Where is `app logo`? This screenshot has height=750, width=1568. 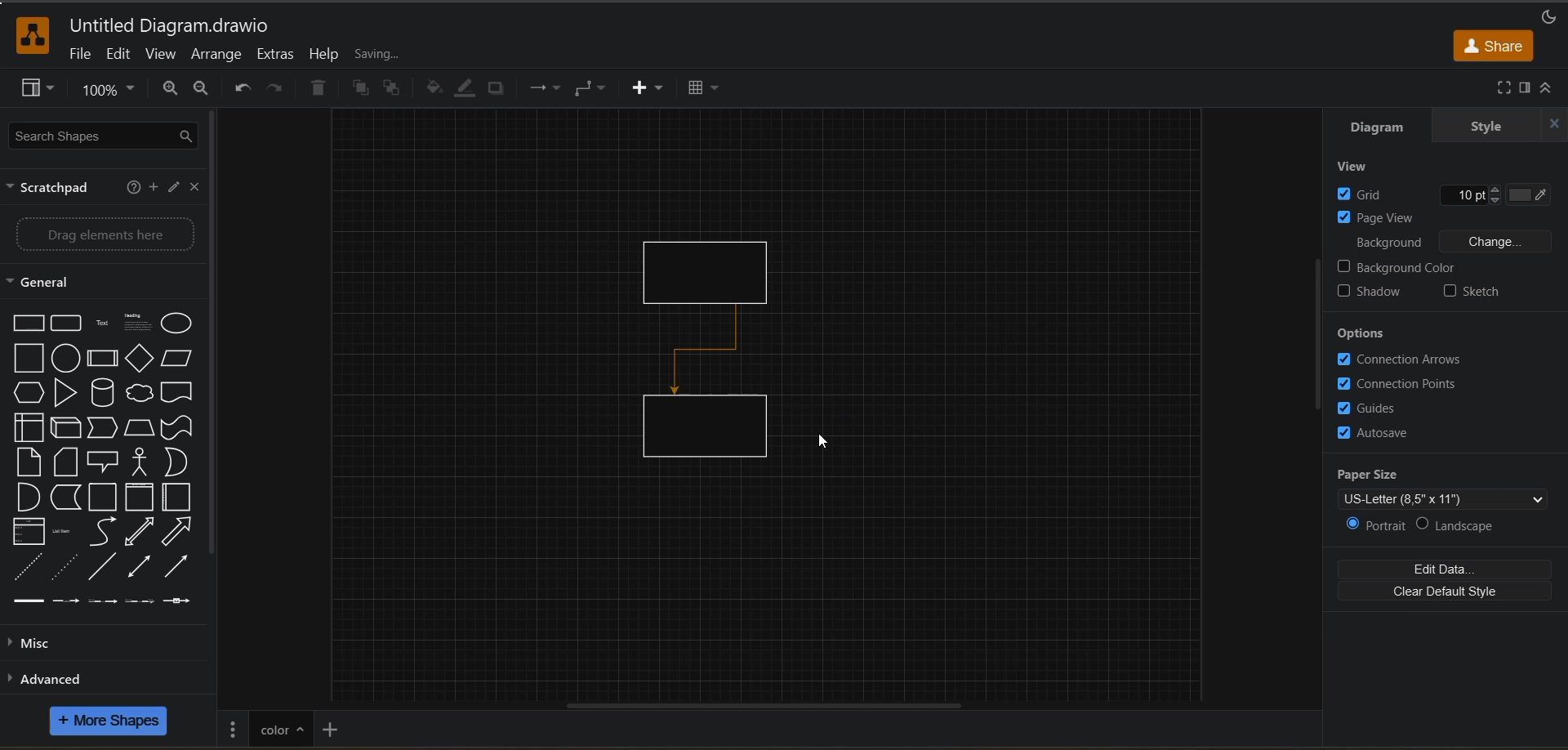
app logo is located at coordinates (24, 33).